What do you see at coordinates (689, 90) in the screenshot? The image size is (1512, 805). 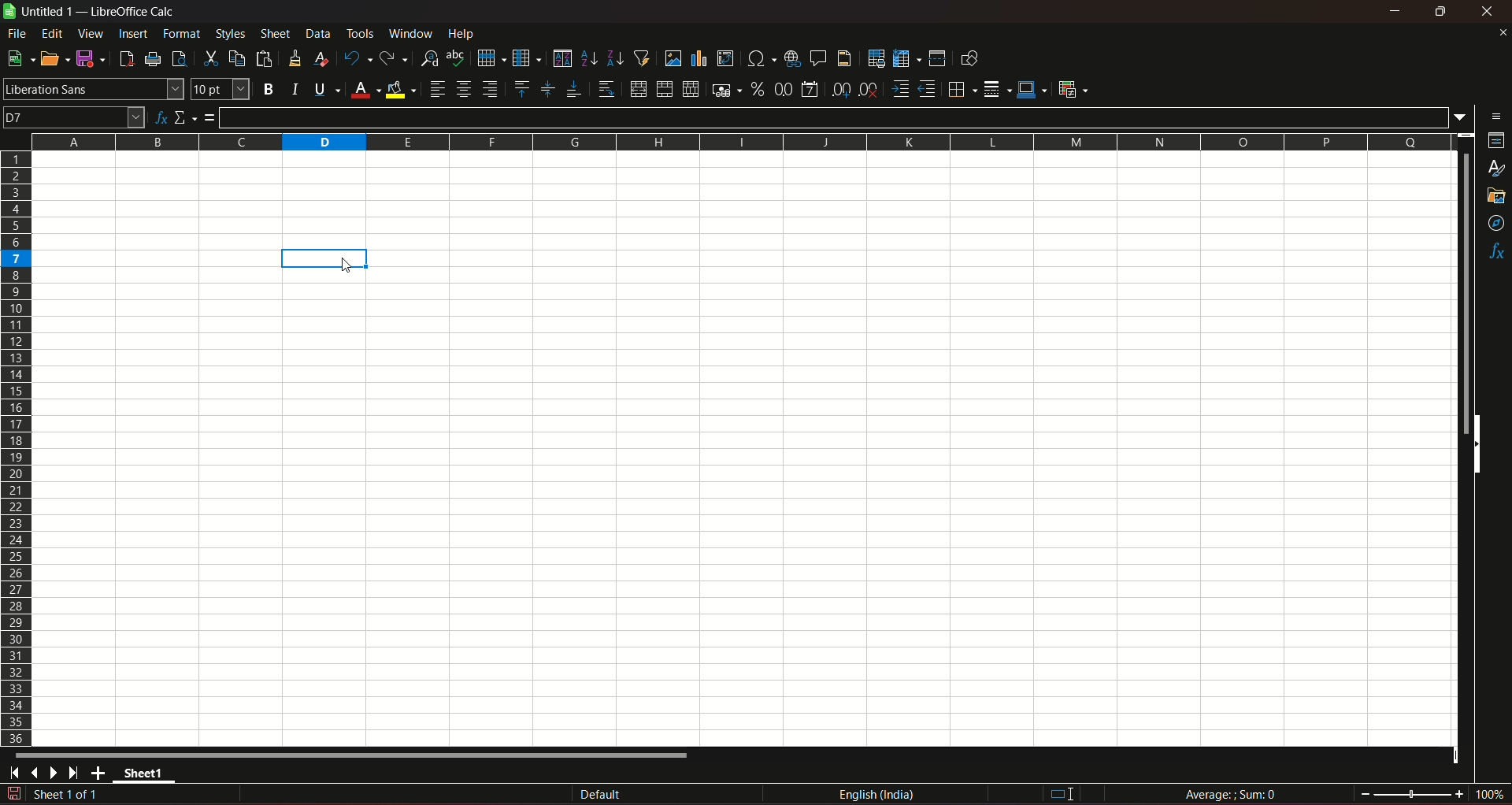 I see `unmerge` at bounding box center [689, 90].